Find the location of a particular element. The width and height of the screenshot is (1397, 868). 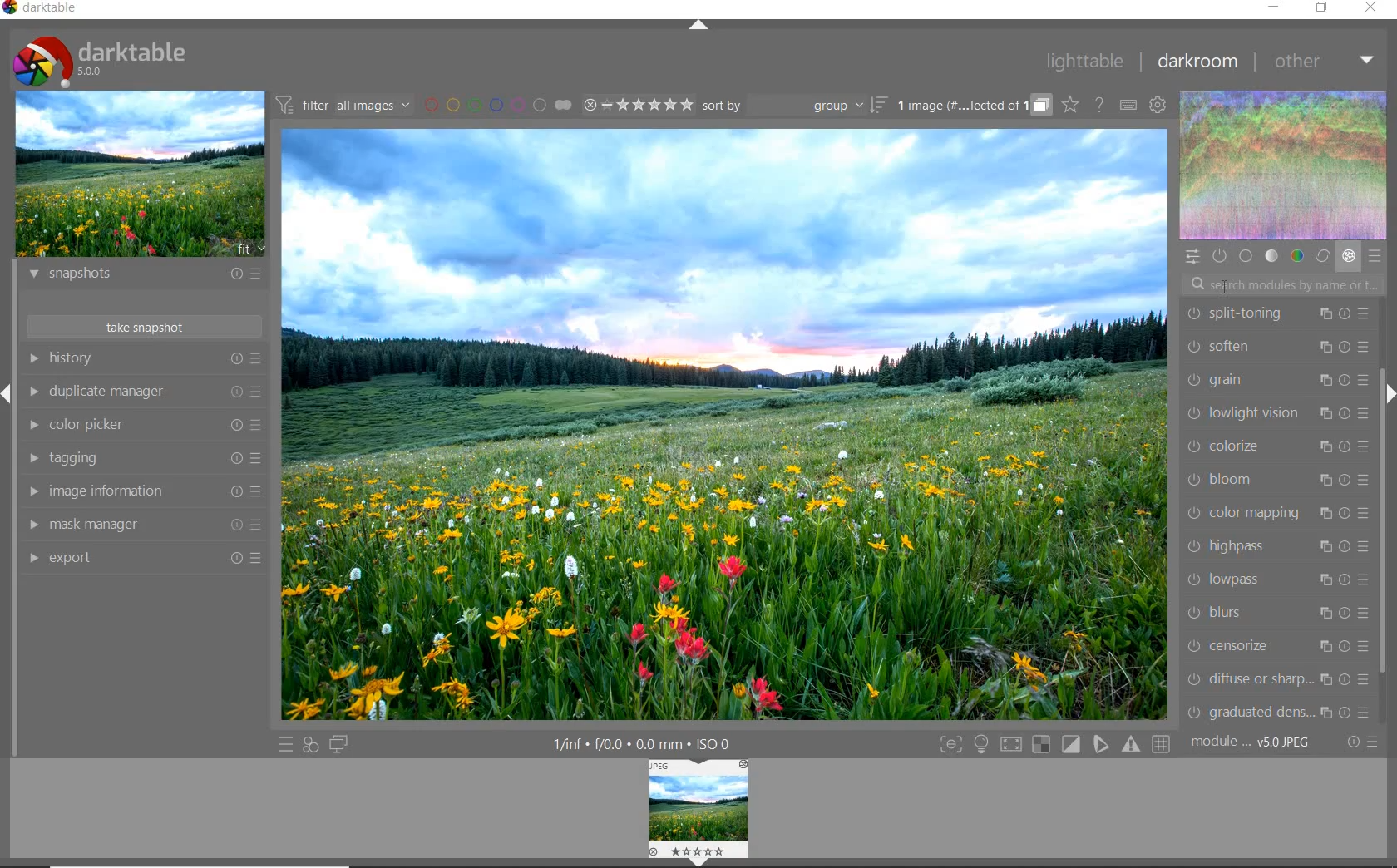

history is located at coordinates (143, 358).